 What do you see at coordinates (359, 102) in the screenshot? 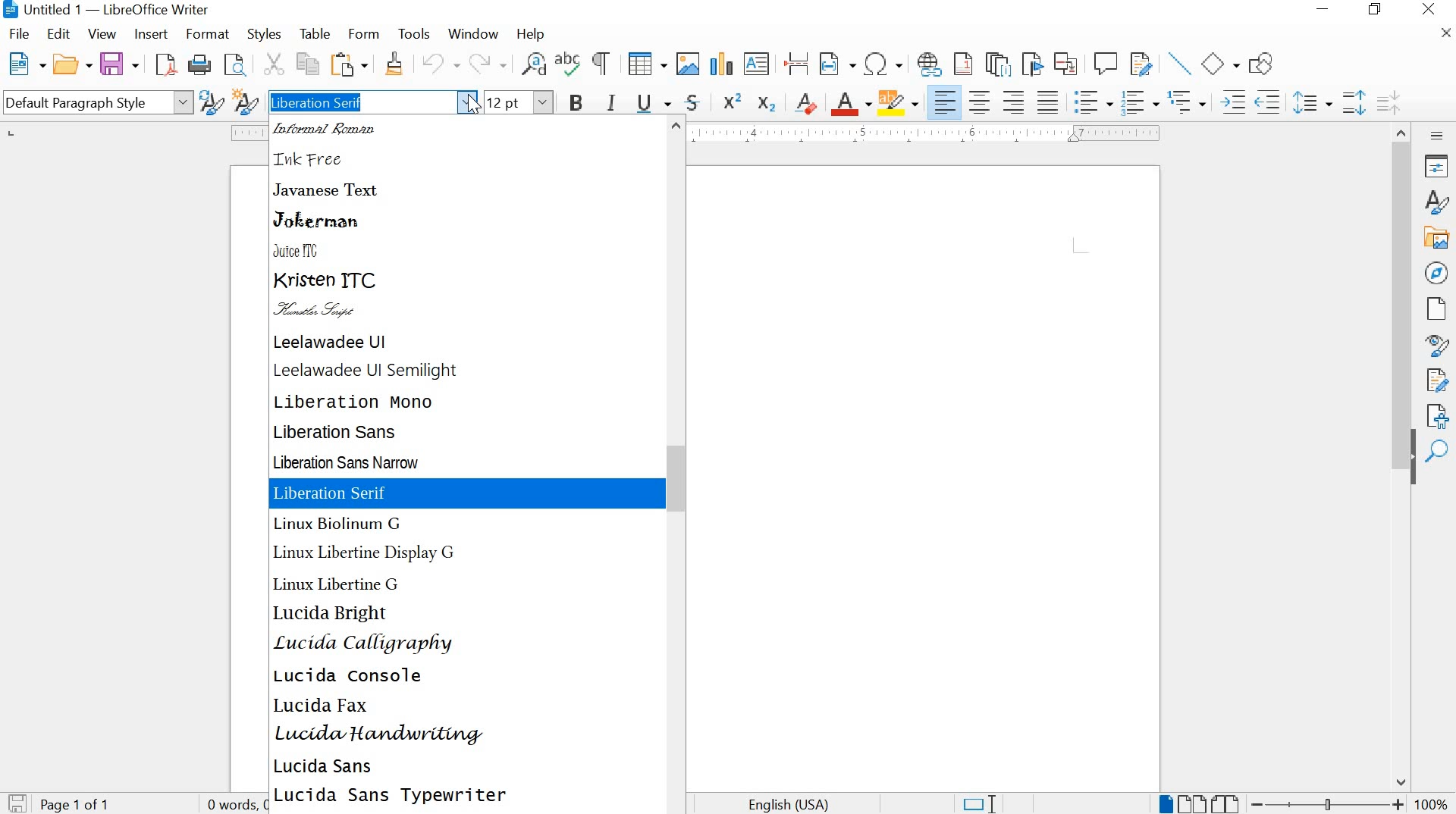
I see `HIGHLIGHTED TEX` at bounding box center [359, 102].